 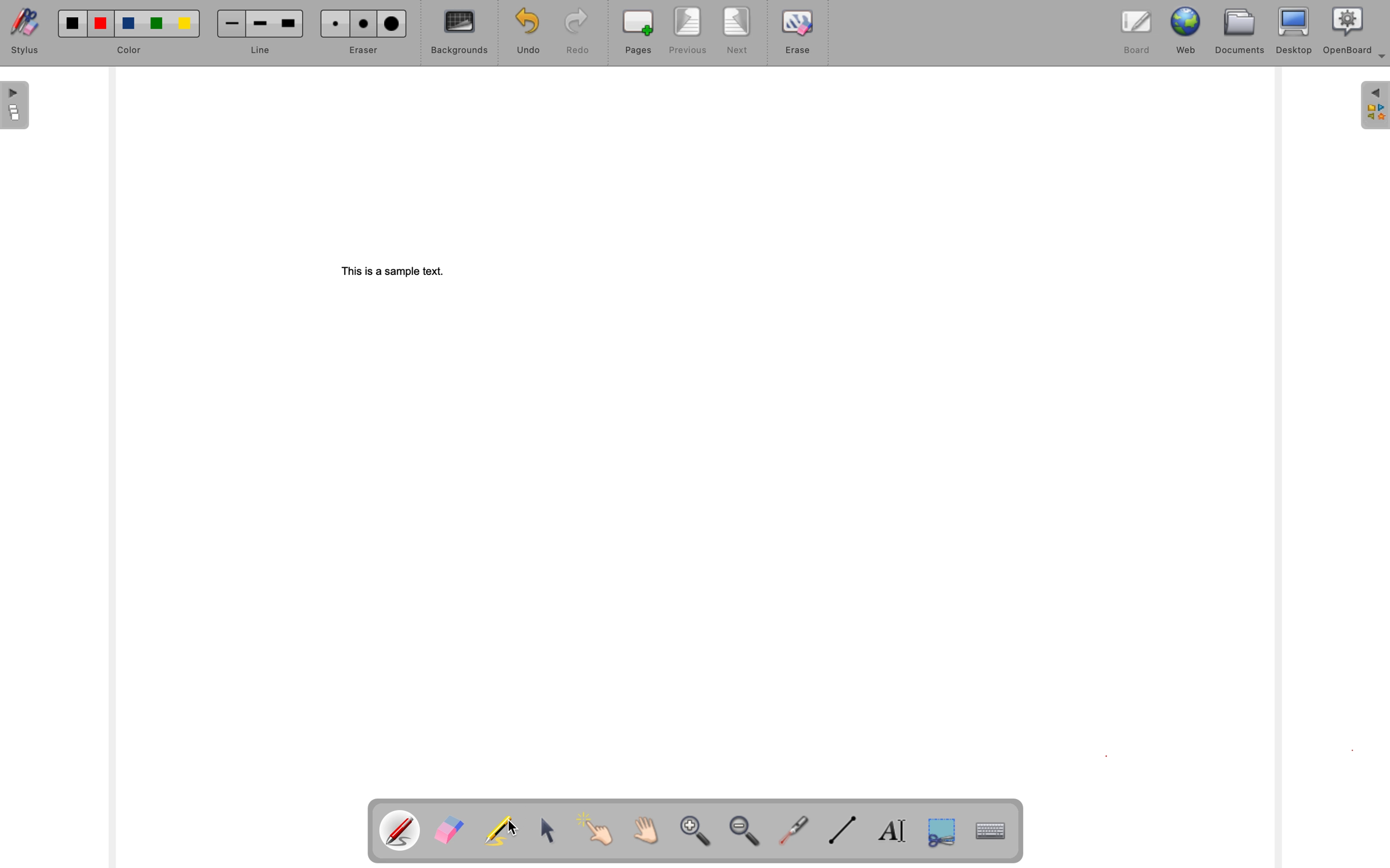 What do you see at coordinates (554, 828) in the screenshot?
I see `select and modify objects` at bounding box center [554, 828].